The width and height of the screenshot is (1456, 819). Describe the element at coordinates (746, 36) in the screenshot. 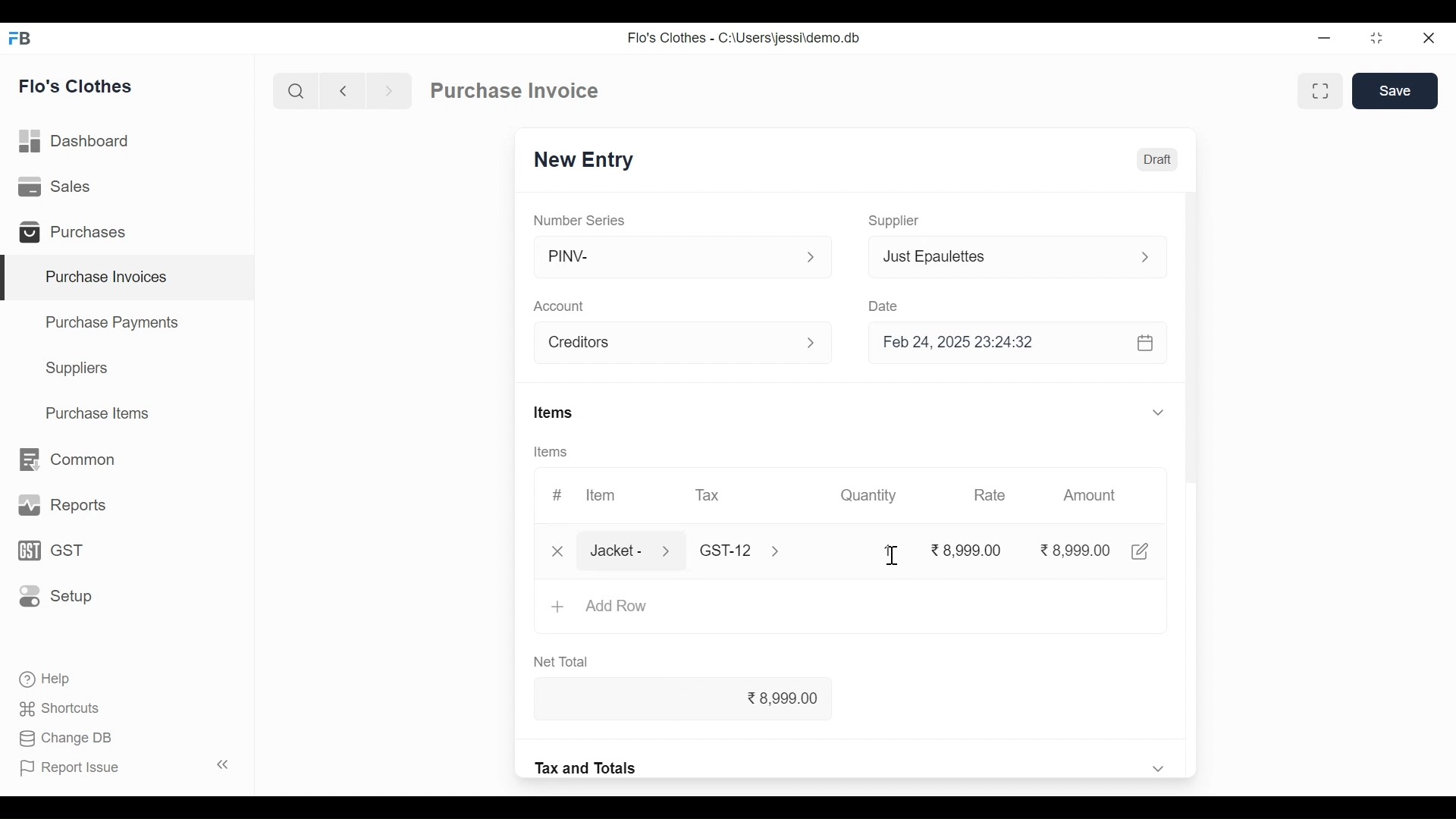

I see `Flo's Clothes - C:\Users\jessi\demo.db` at that location.